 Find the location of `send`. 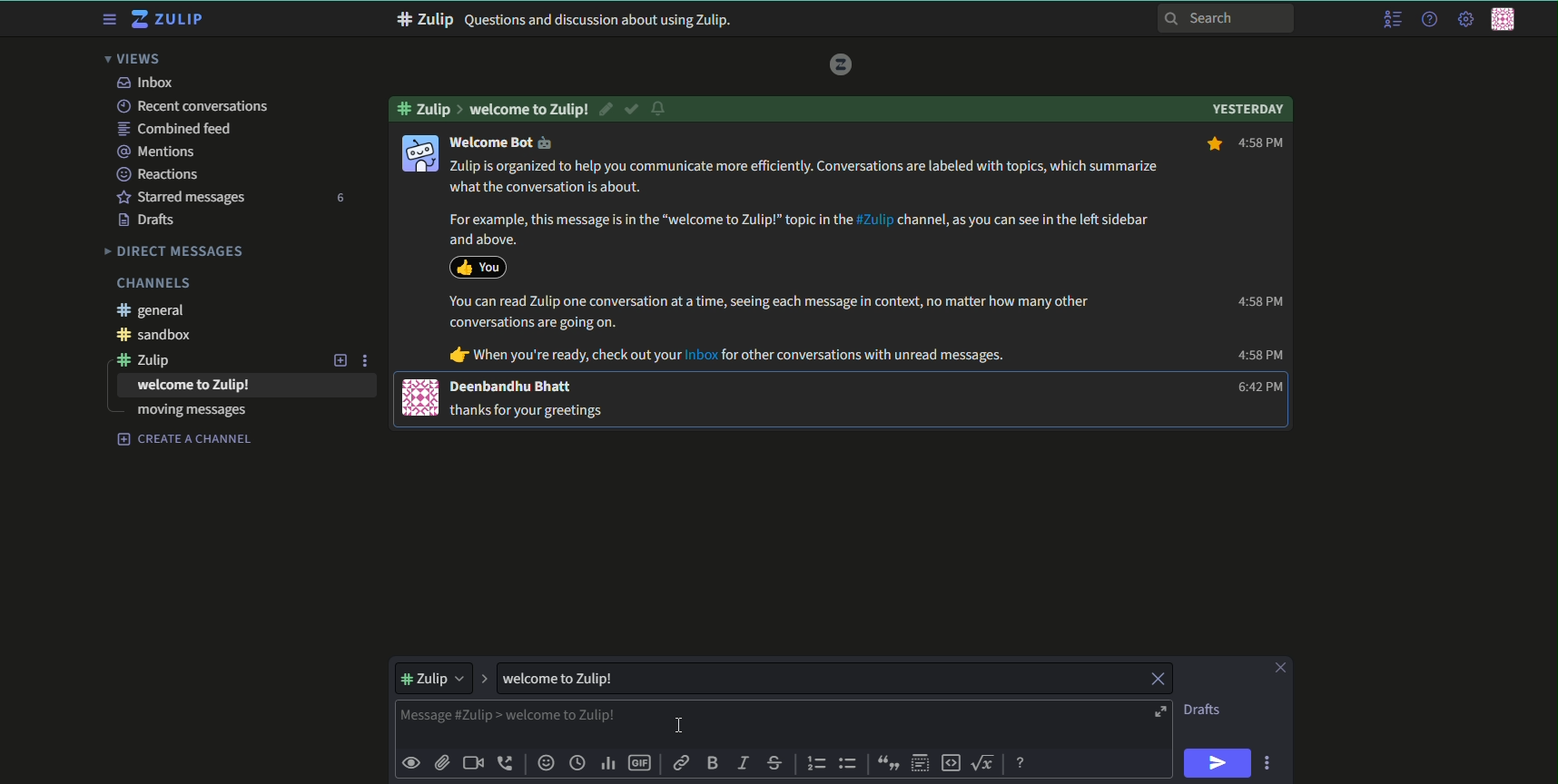

send is located at coordinates (1218, 763).